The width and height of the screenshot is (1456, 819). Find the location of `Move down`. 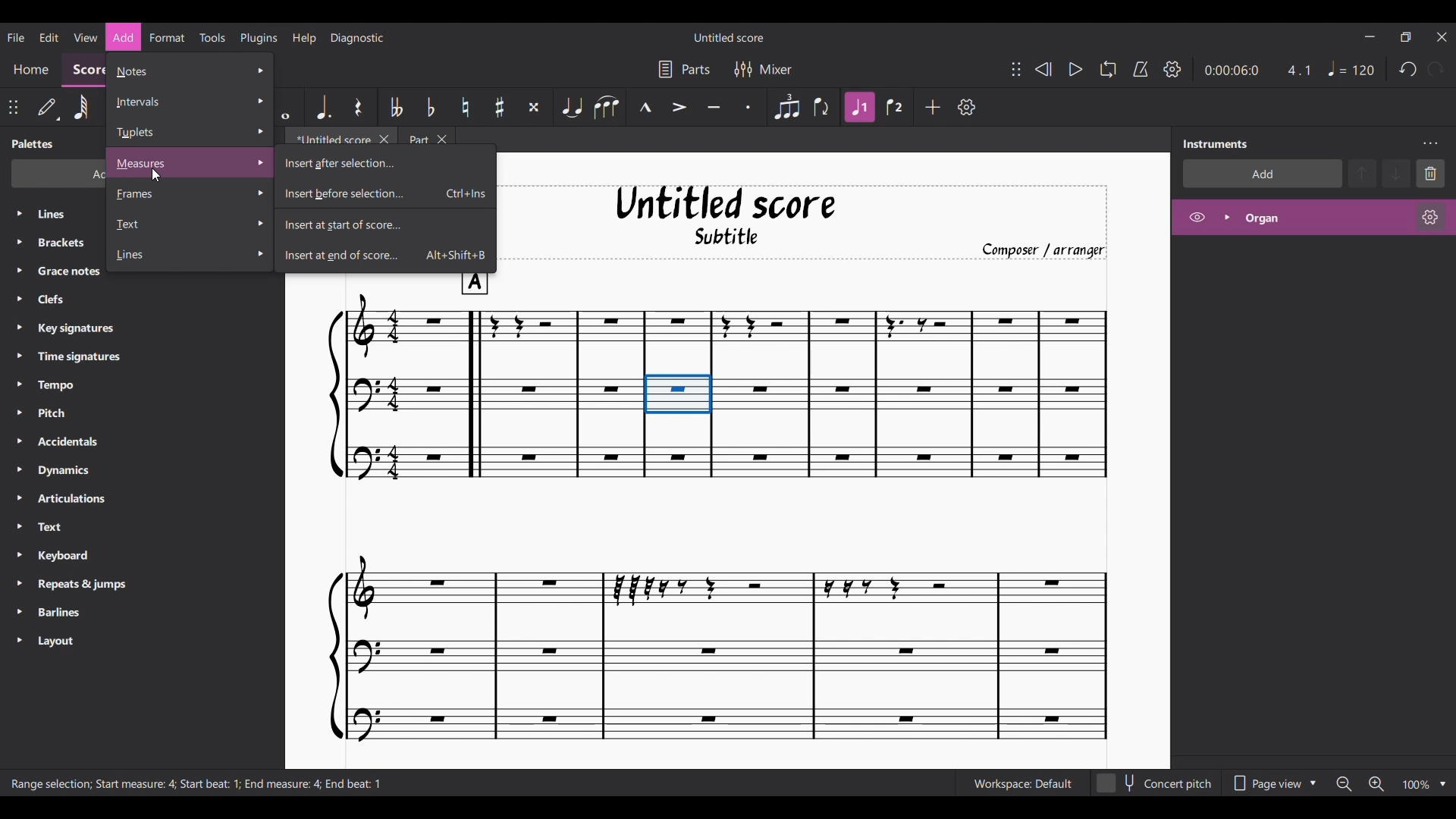

Move down is located at coordinates (1396, 173).